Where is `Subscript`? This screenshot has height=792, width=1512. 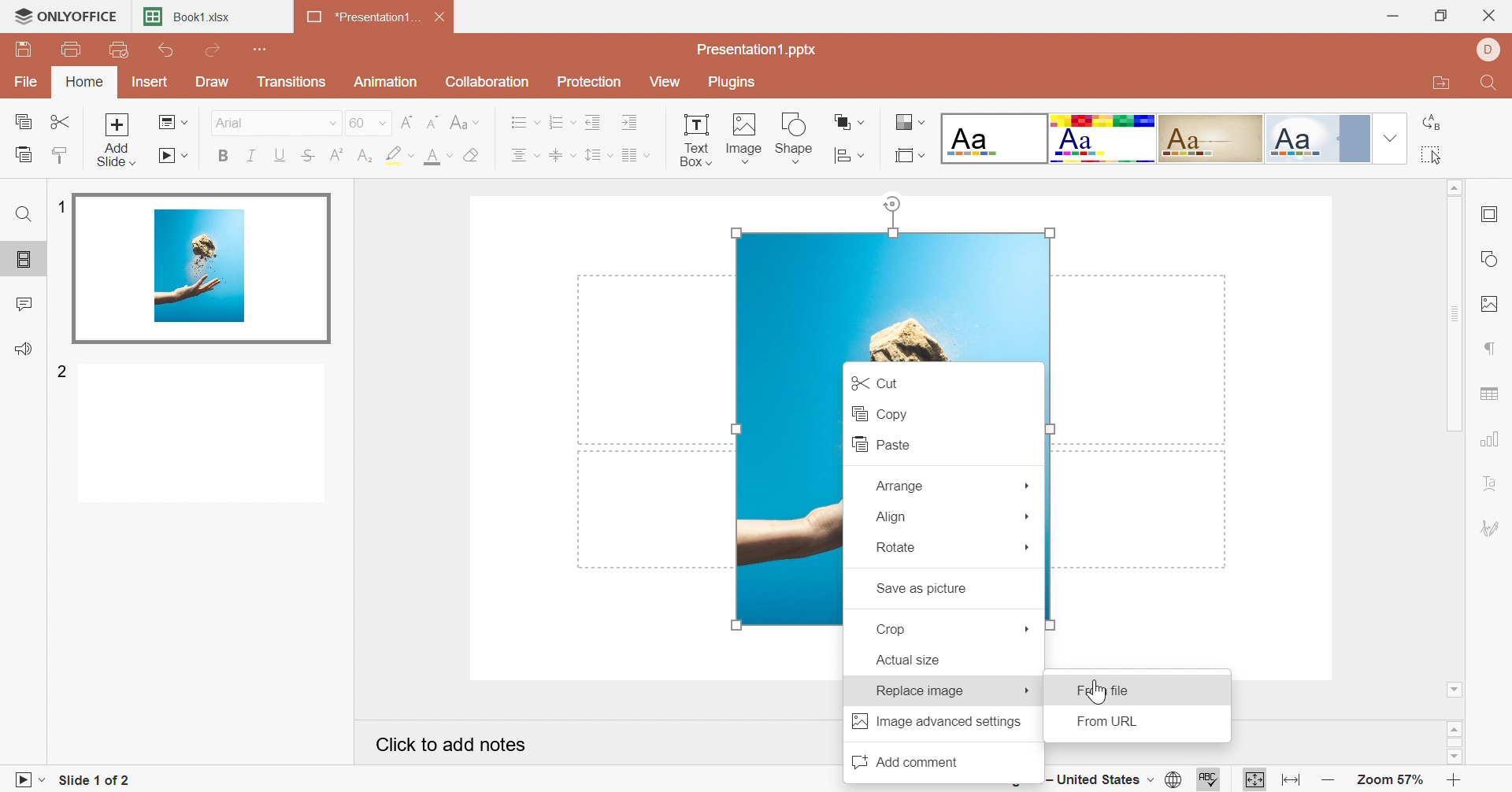 Subscript is located at coordinates (365, 156).